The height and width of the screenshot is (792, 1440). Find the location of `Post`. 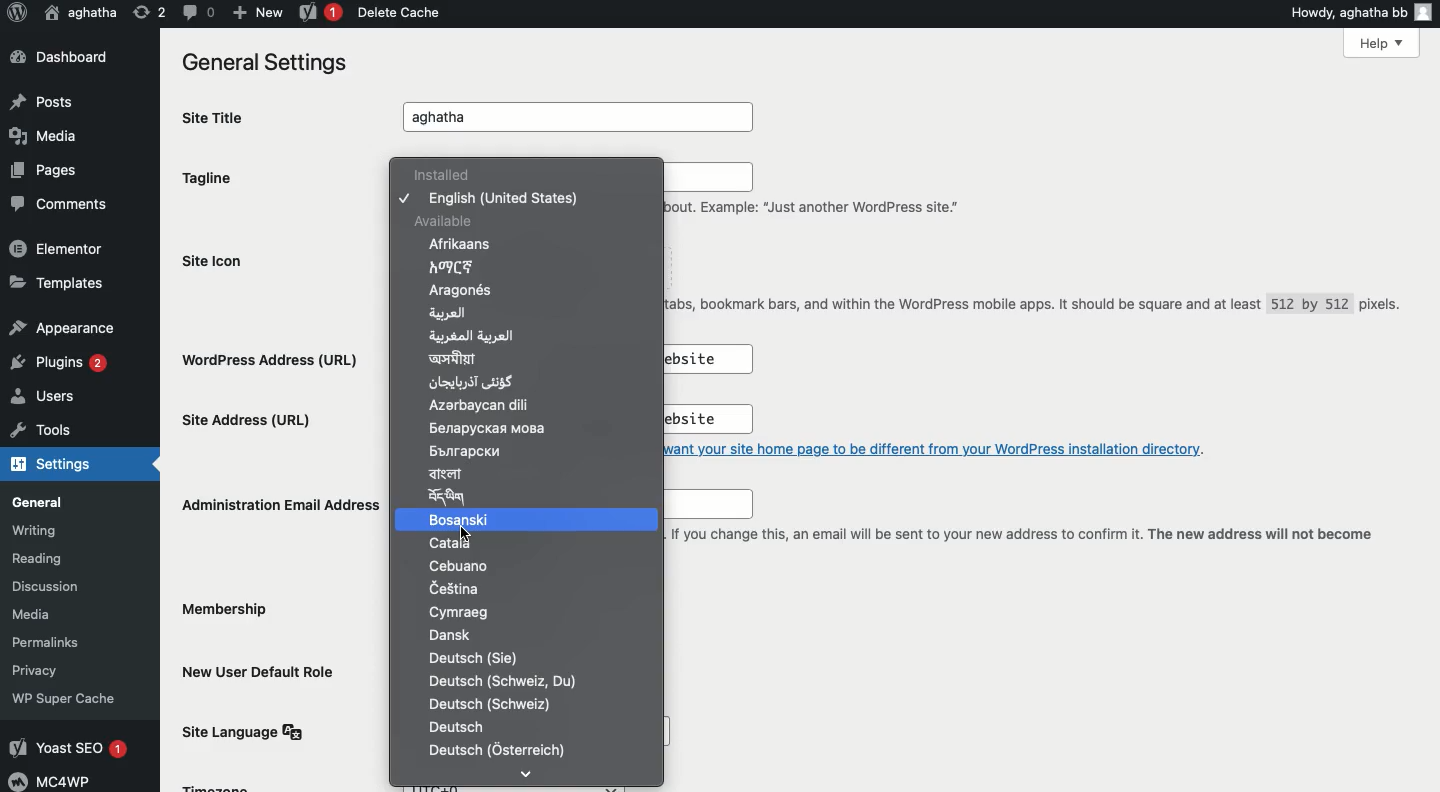

Post is located at coordinates (47, 99).